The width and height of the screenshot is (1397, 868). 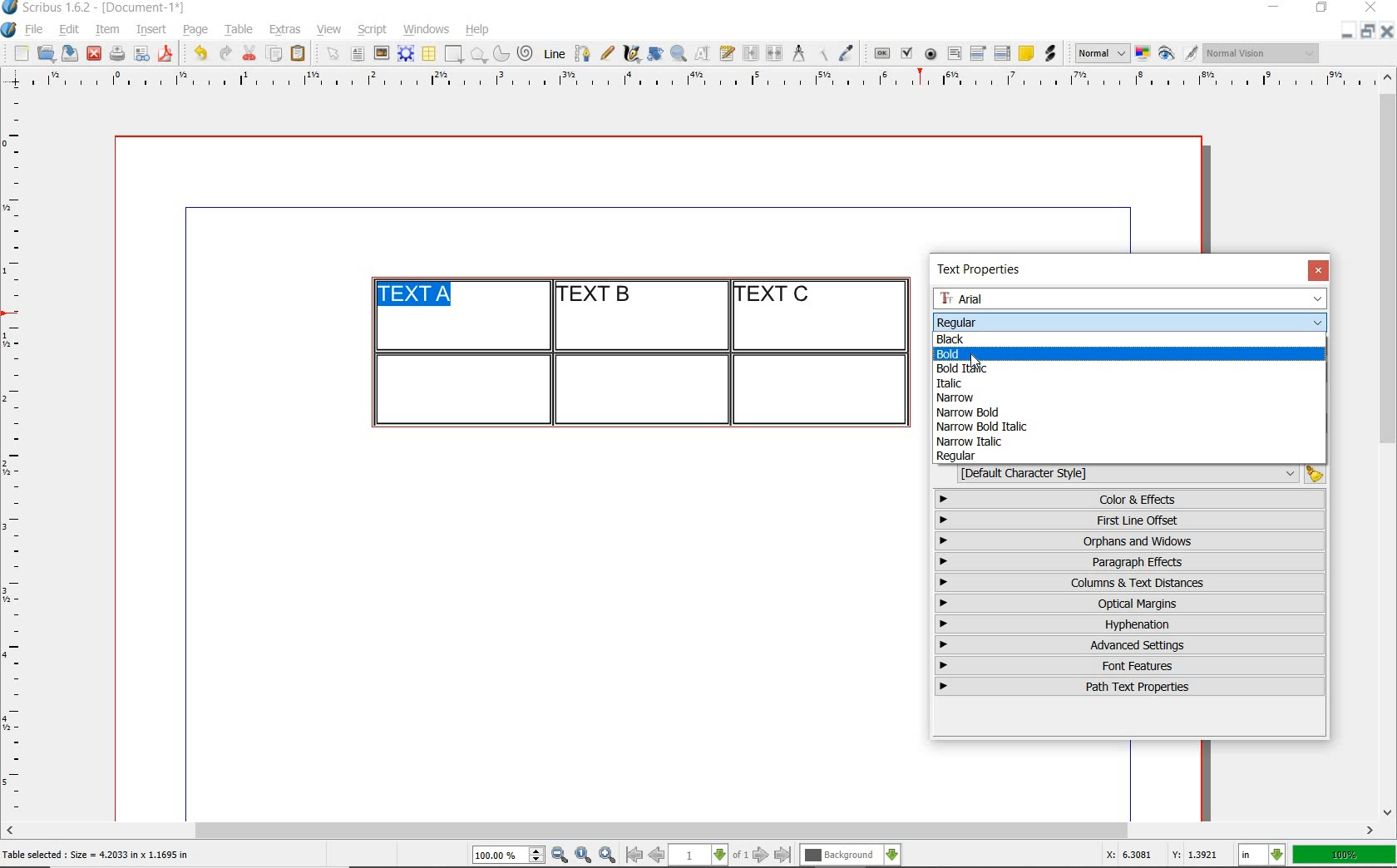 I want to click on text properties, so click(x=985, y=269).